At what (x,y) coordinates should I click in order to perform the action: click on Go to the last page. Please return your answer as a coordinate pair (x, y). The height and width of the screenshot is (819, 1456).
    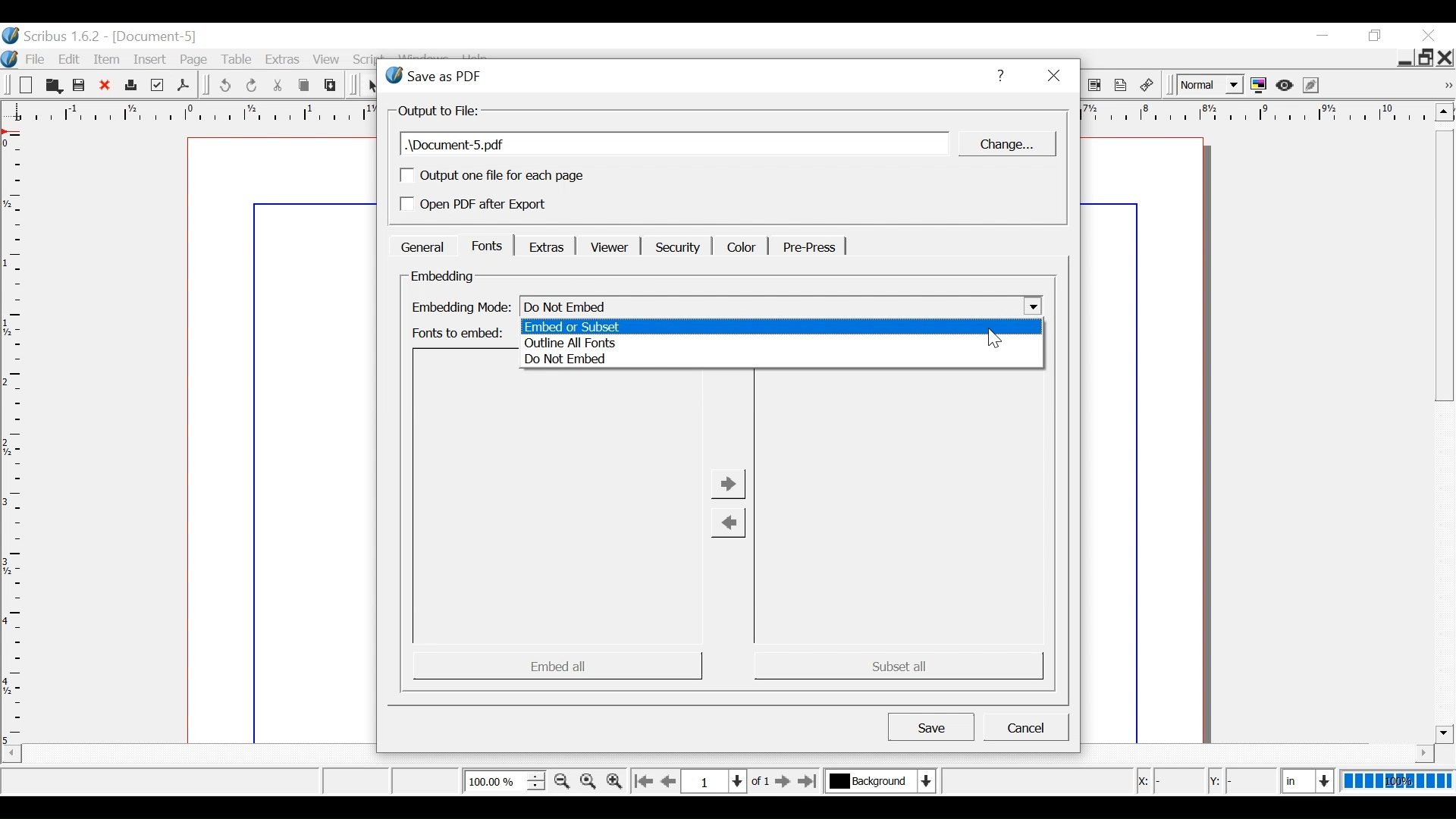
    Looking at the image, I should click on (809, 781).